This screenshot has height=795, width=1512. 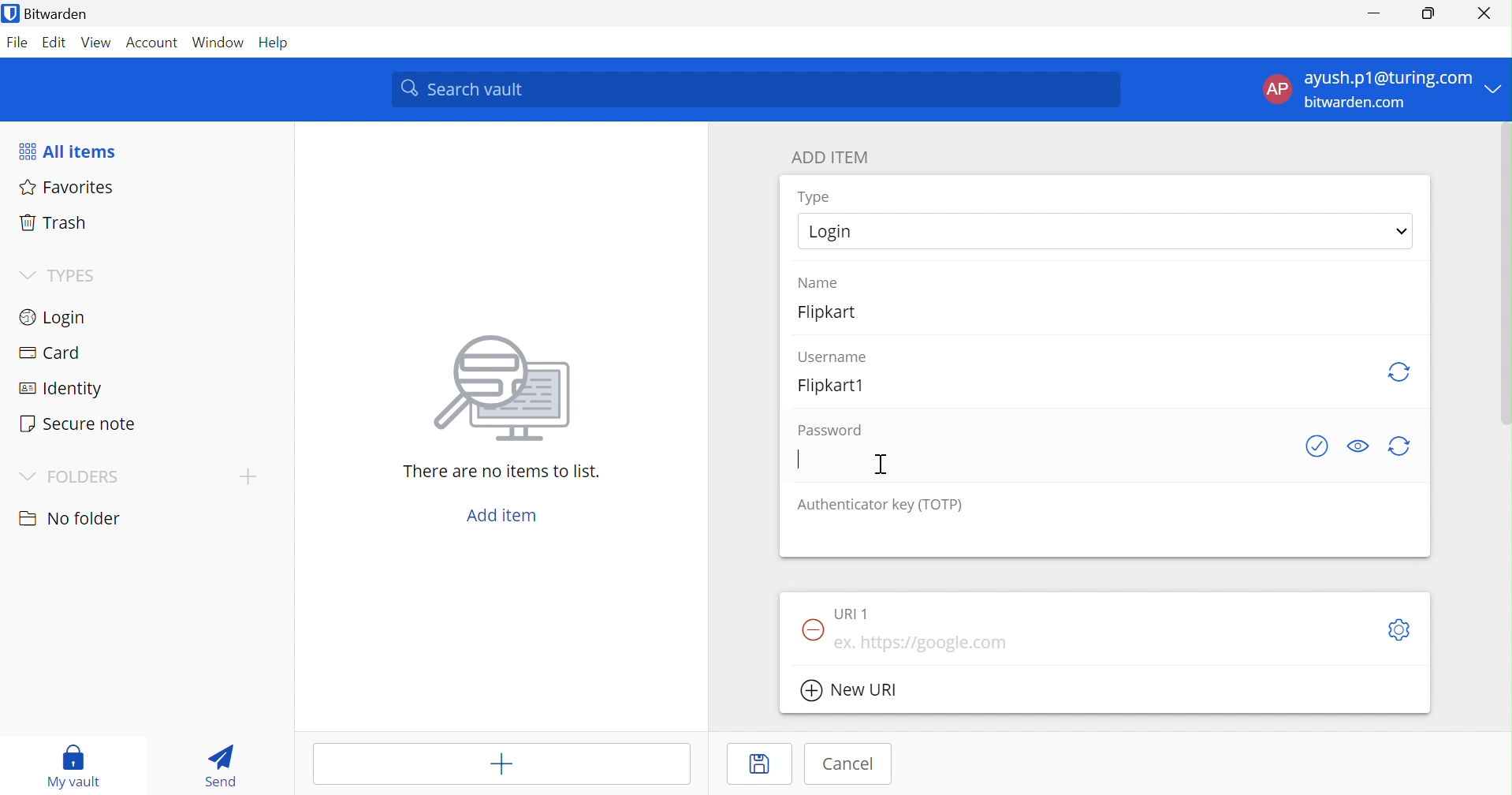 What do you see at coordinates (278, 43) in the screenshot?
I see `Help` at bounding box center [278, 43].